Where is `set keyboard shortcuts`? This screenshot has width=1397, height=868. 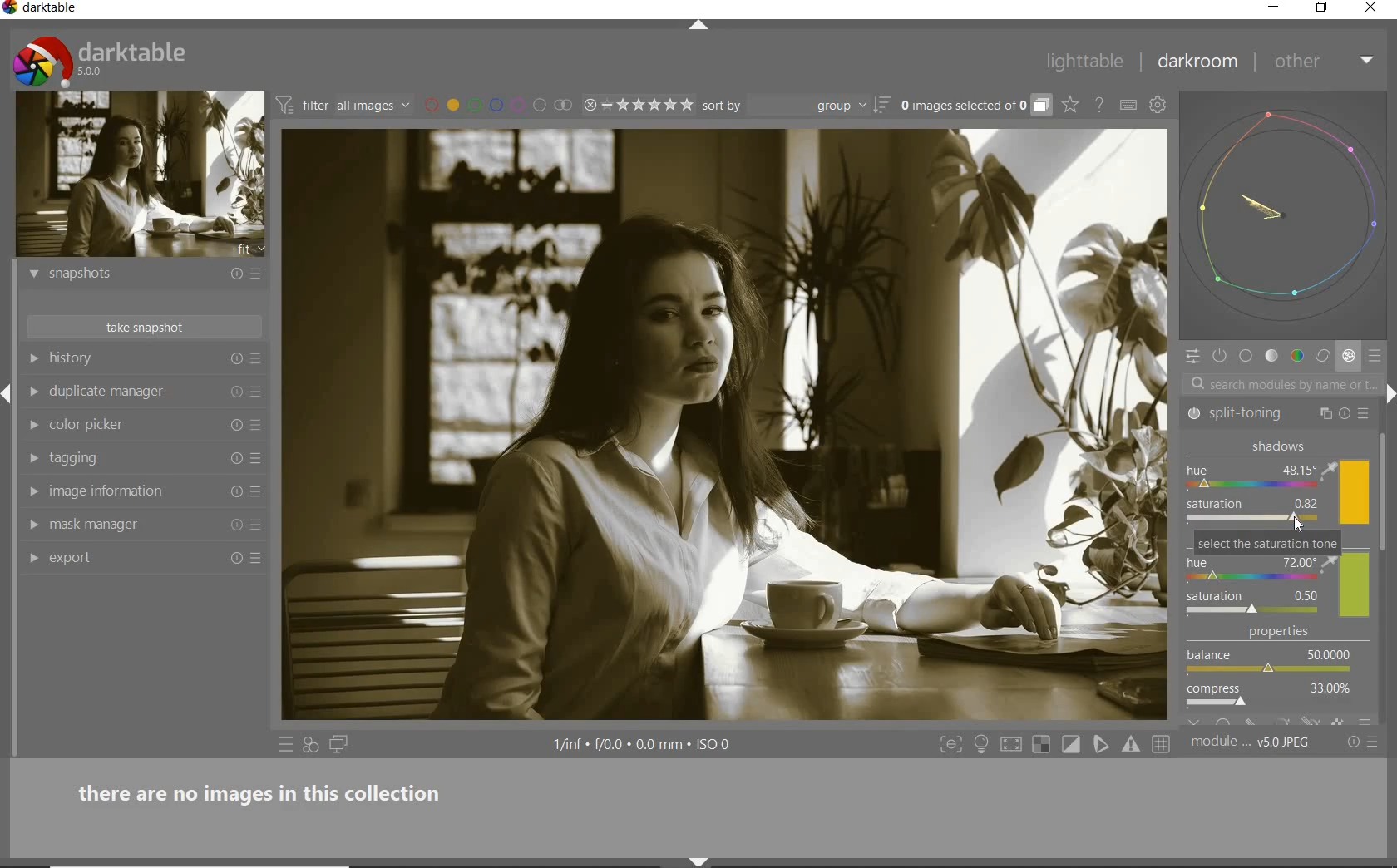
set keyboard shortcuts is located at coordinates (1128, 105).